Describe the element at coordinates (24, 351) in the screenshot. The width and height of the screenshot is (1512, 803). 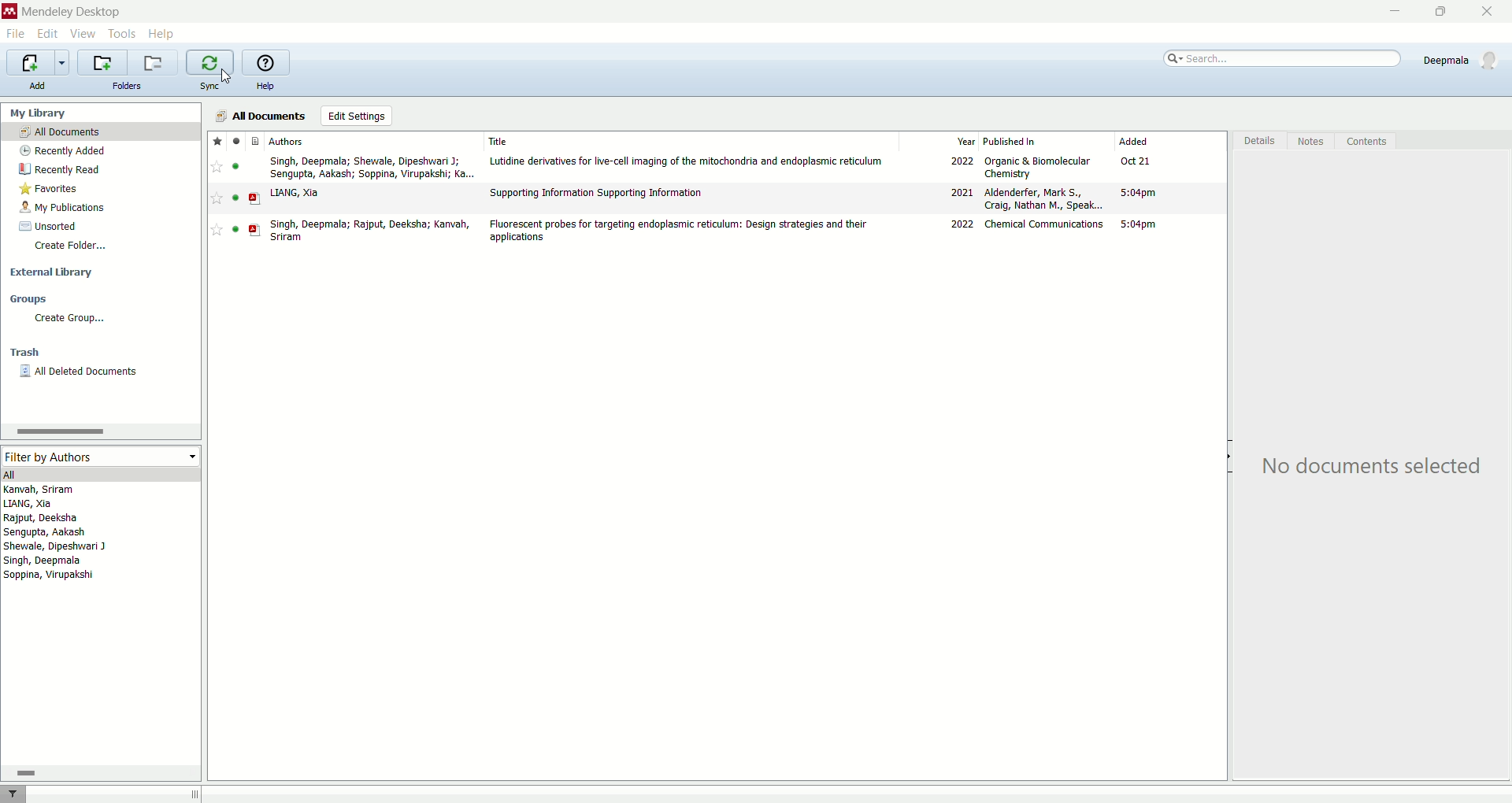
I see `trash` at that location.